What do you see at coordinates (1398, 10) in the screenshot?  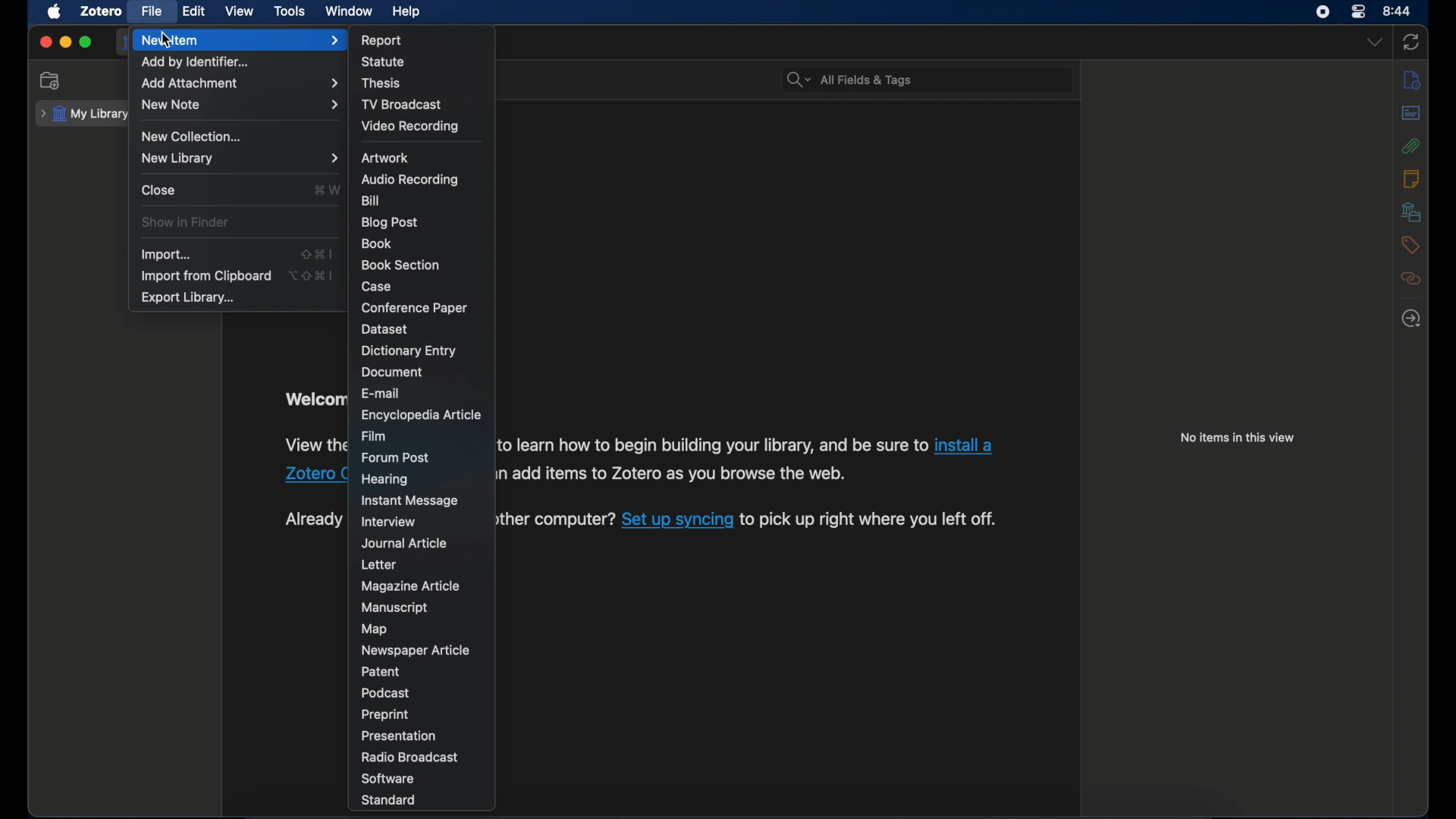 I see `8.44` at bounding box center [1398, 10].